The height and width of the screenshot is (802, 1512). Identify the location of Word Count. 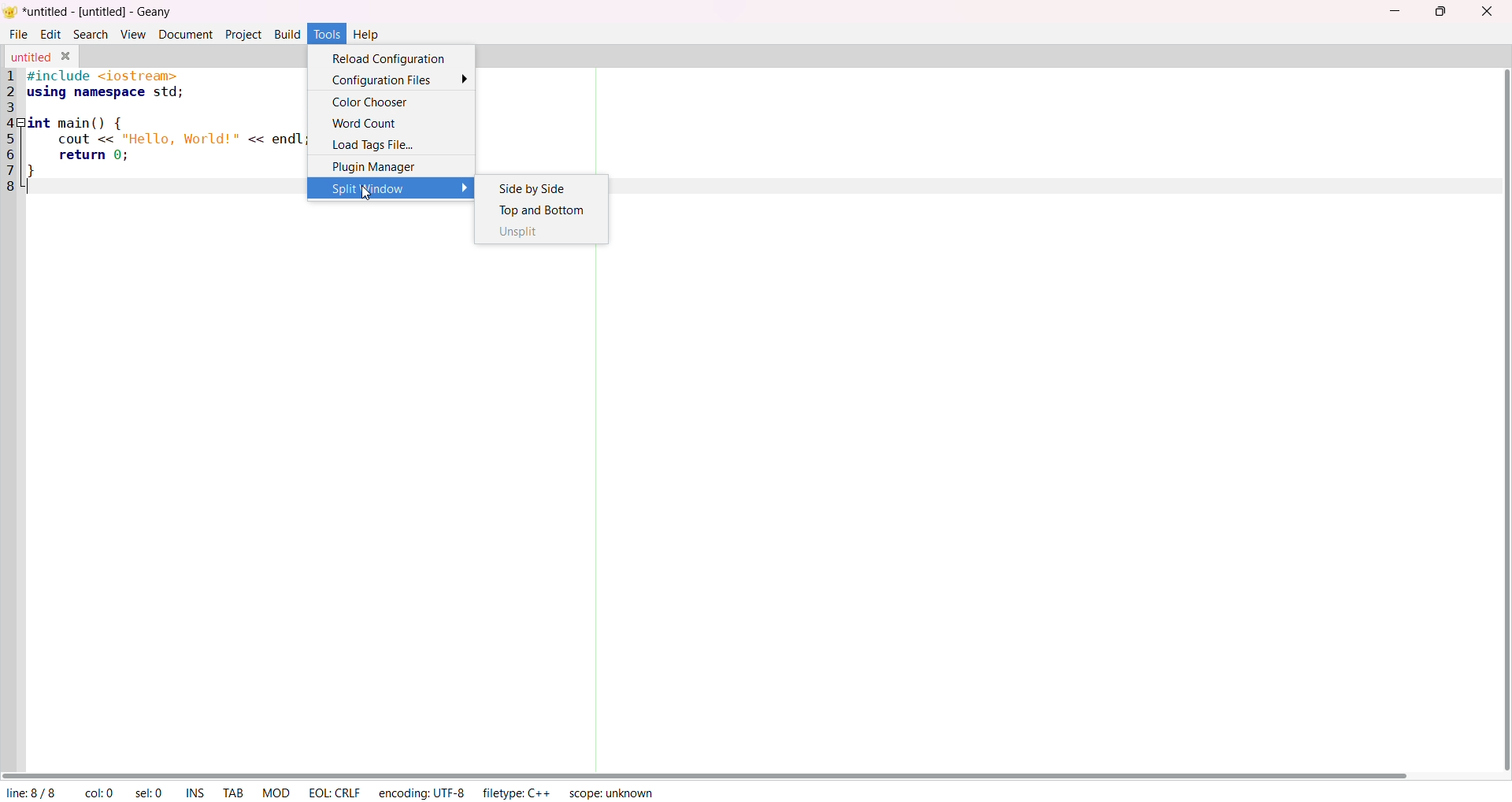
(364, 123).